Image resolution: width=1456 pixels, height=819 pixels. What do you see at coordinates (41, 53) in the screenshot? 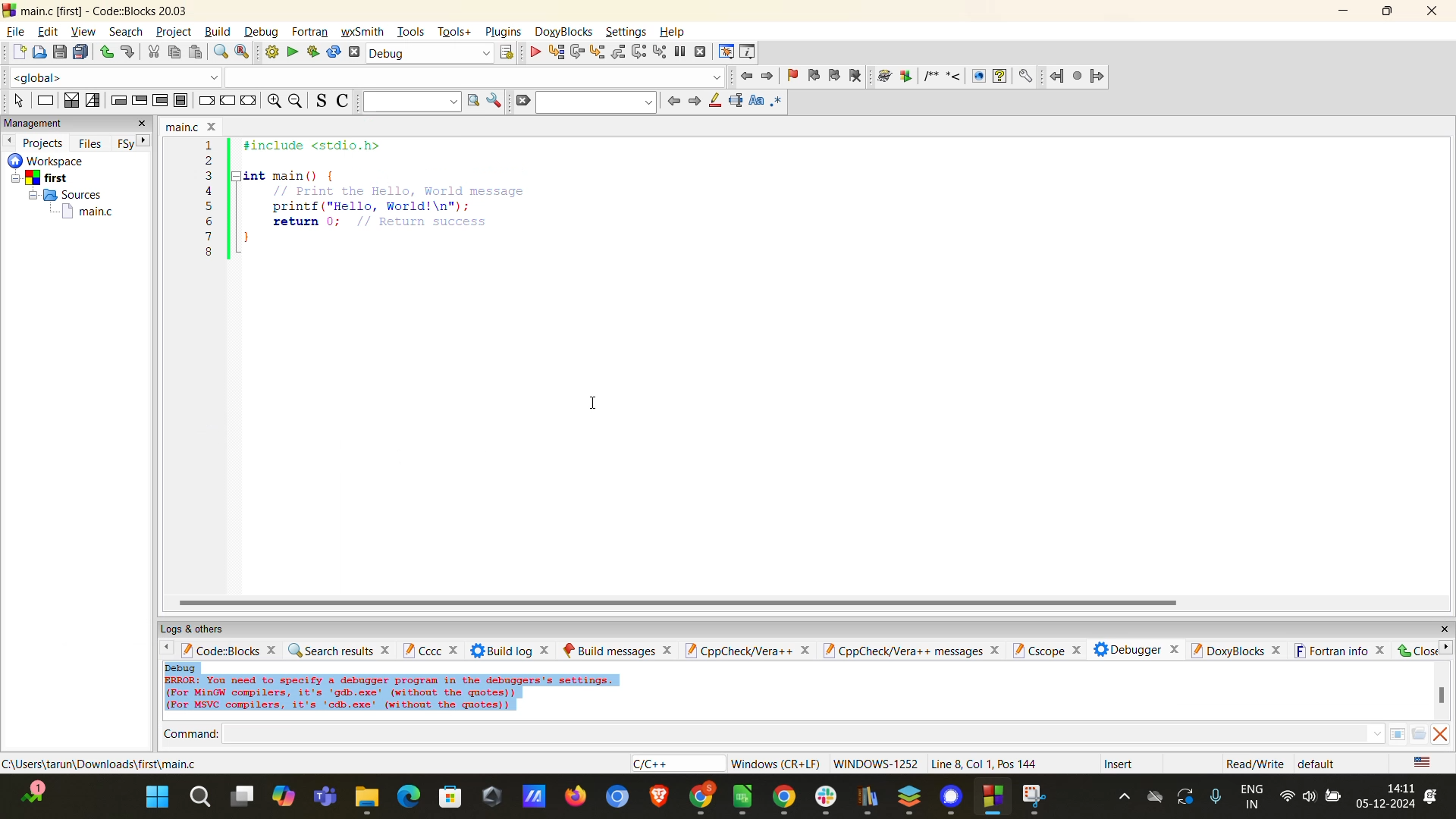
I see `open` at bounding box center [41, 53].